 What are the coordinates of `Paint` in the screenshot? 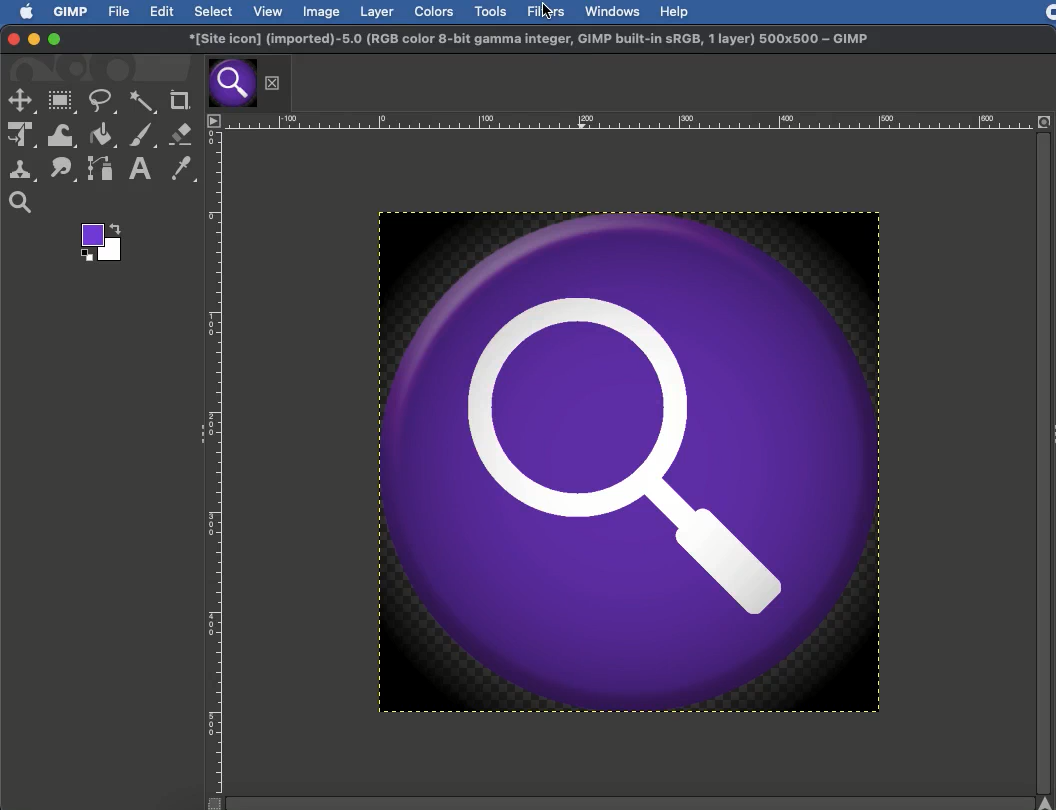 It's located at (144, 135).